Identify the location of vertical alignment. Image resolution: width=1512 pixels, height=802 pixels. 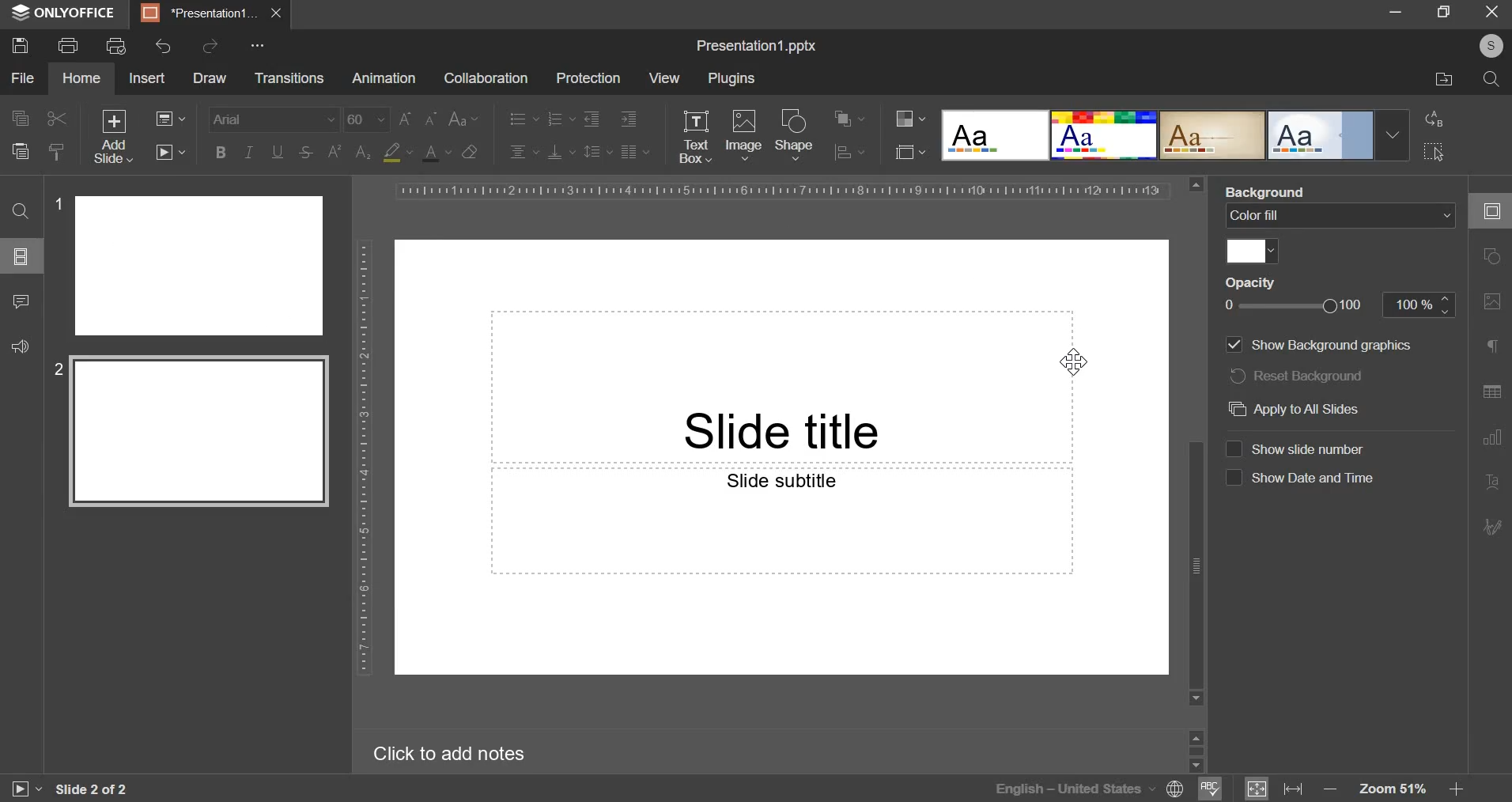
(562, 151).